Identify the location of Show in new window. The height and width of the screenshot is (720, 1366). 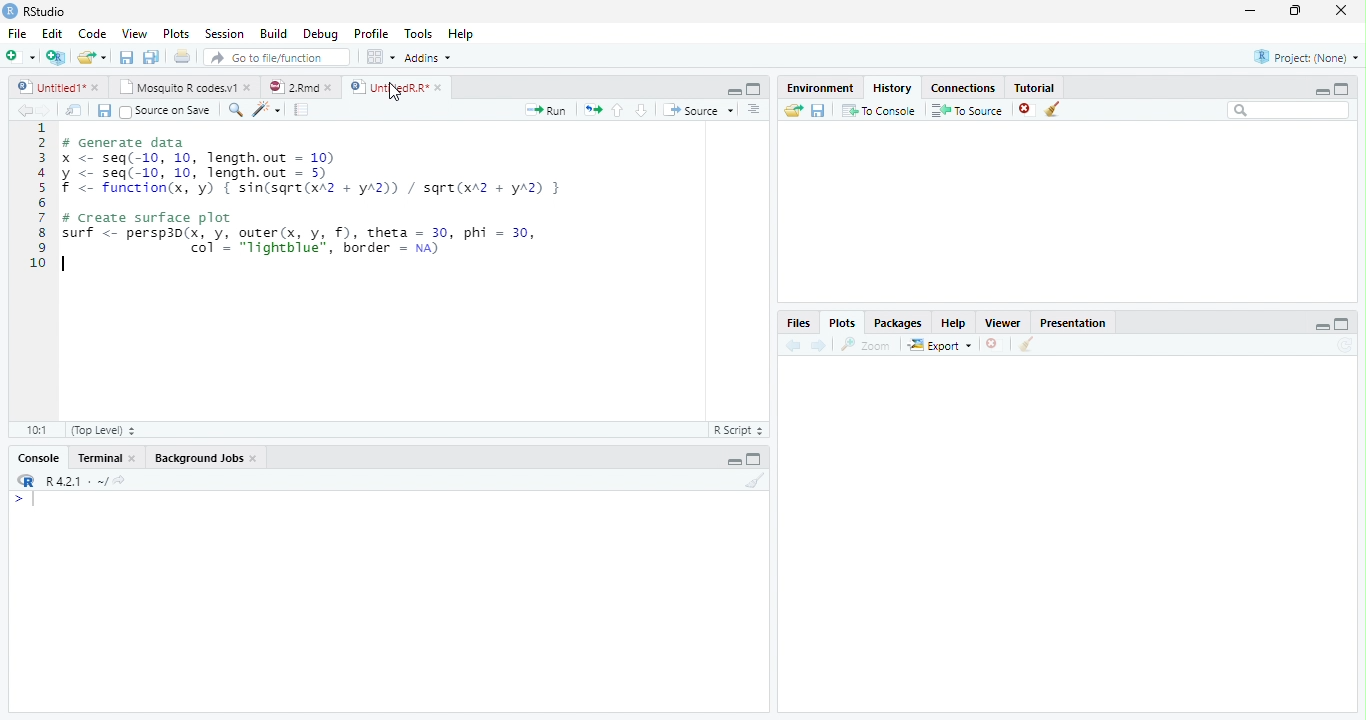
(73, 110).